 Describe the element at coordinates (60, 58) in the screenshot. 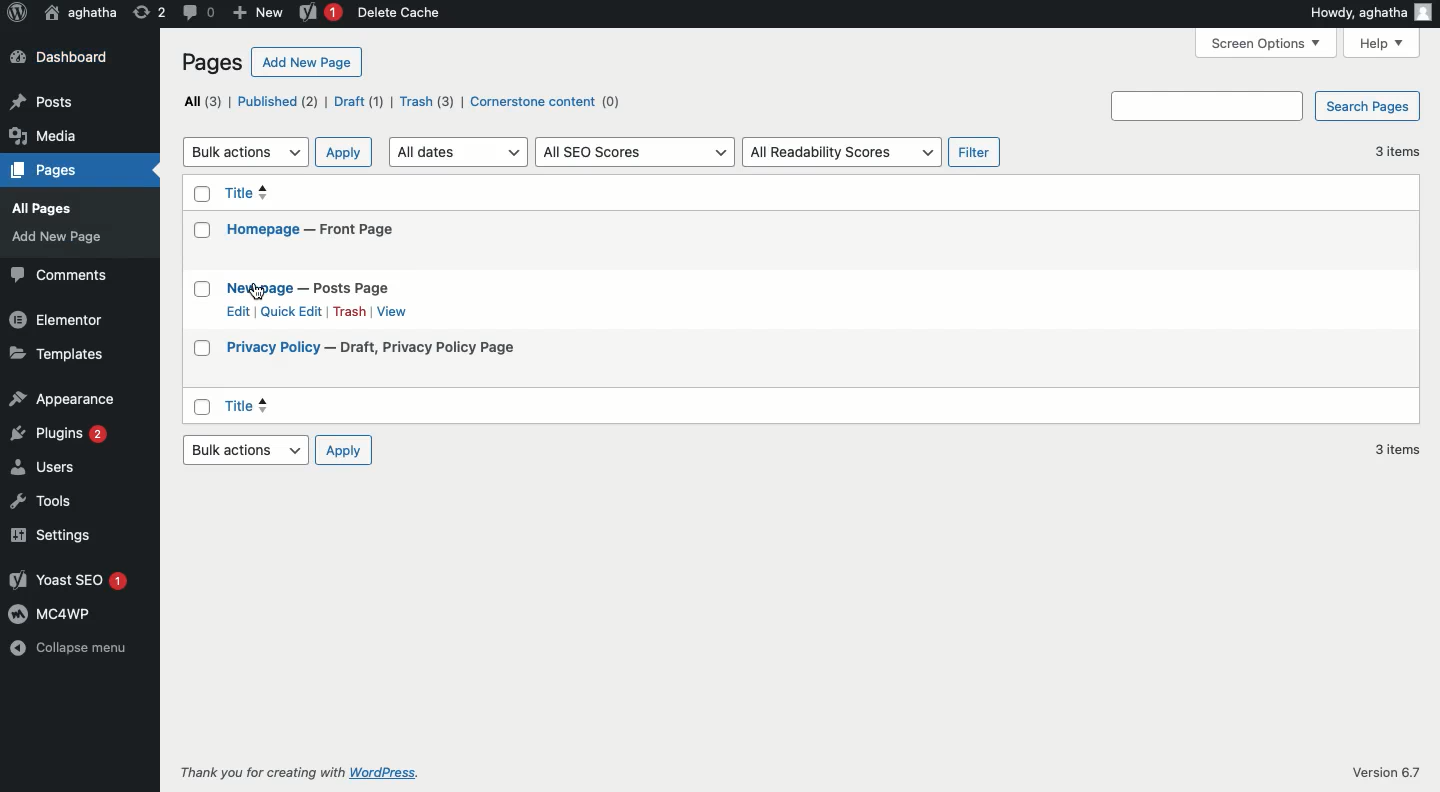

I see `Dashboard` at that location.